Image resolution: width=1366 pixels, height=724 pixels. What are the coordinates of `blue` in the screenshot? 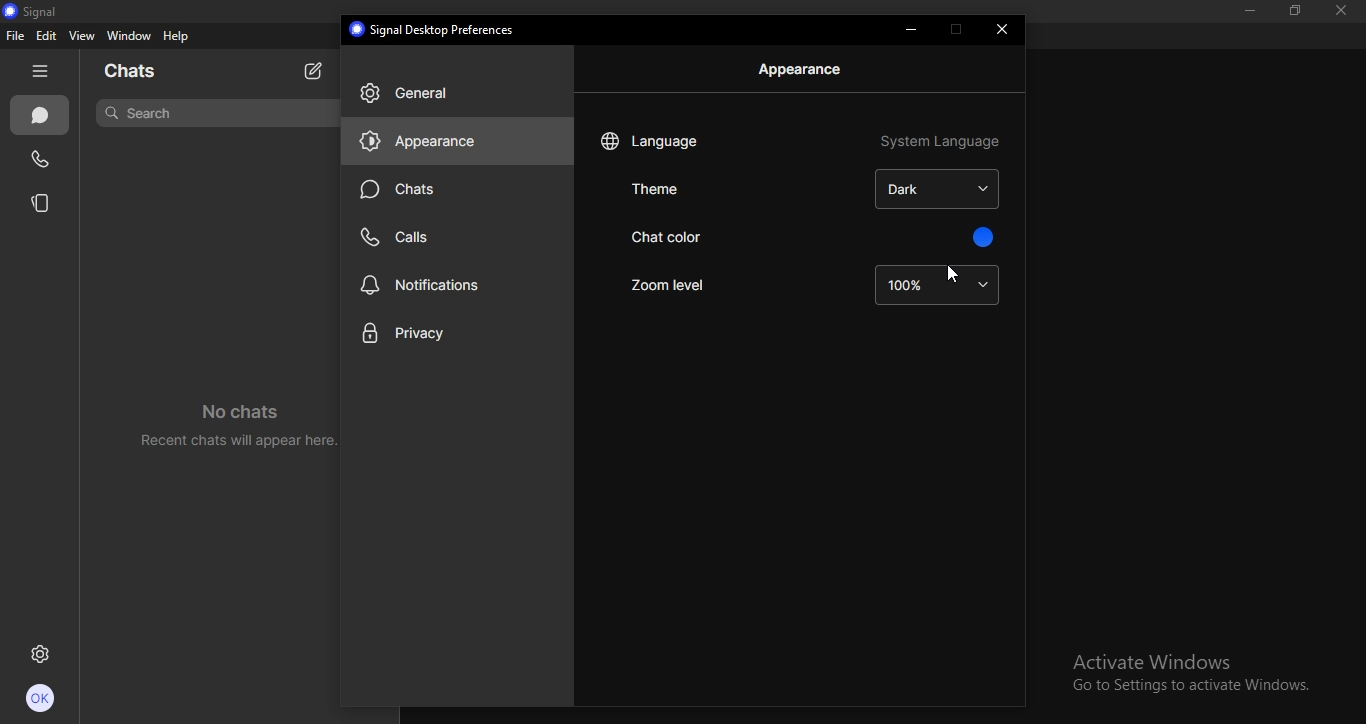 It's located at (980, 237).